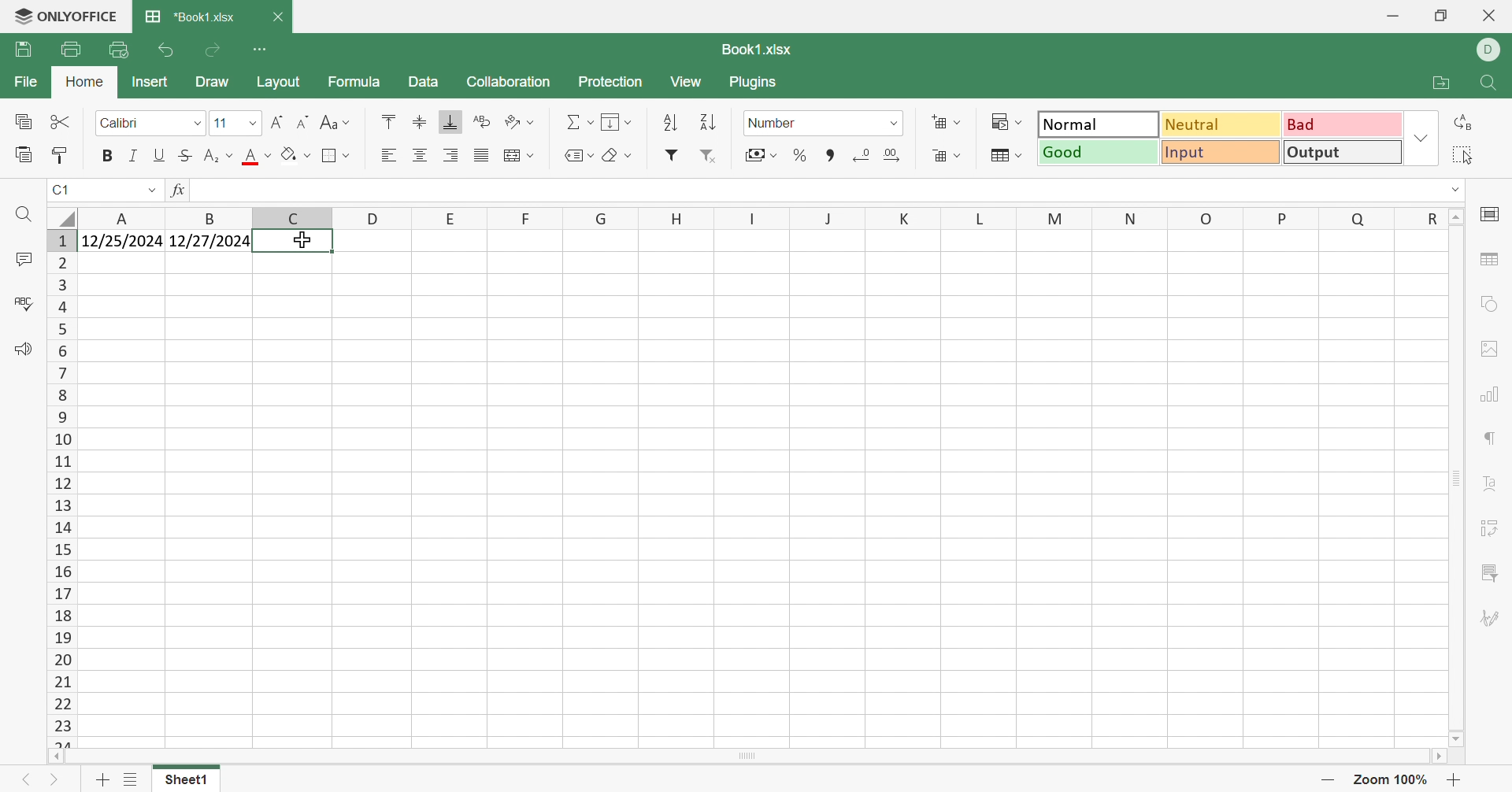 This screenshot has width=1512, height=792. What do you see at coordinates (237, 191) in the screenshot?
I see `12/25/2024` at bounding box center [237, 191].